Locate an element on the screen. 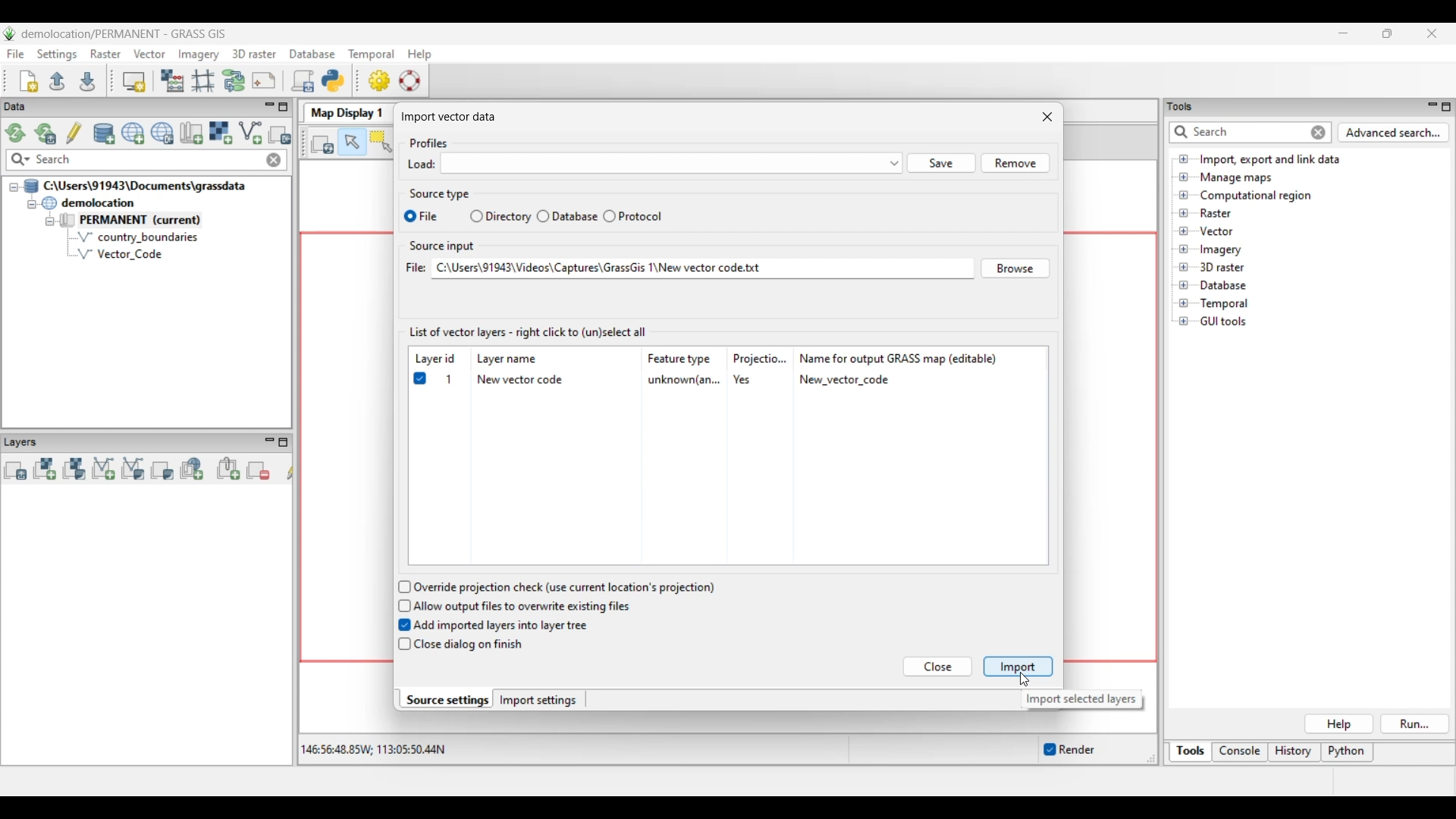 The width and height of the screenshot is (1456, 819). Layer id is located at coordinates (435, 359).